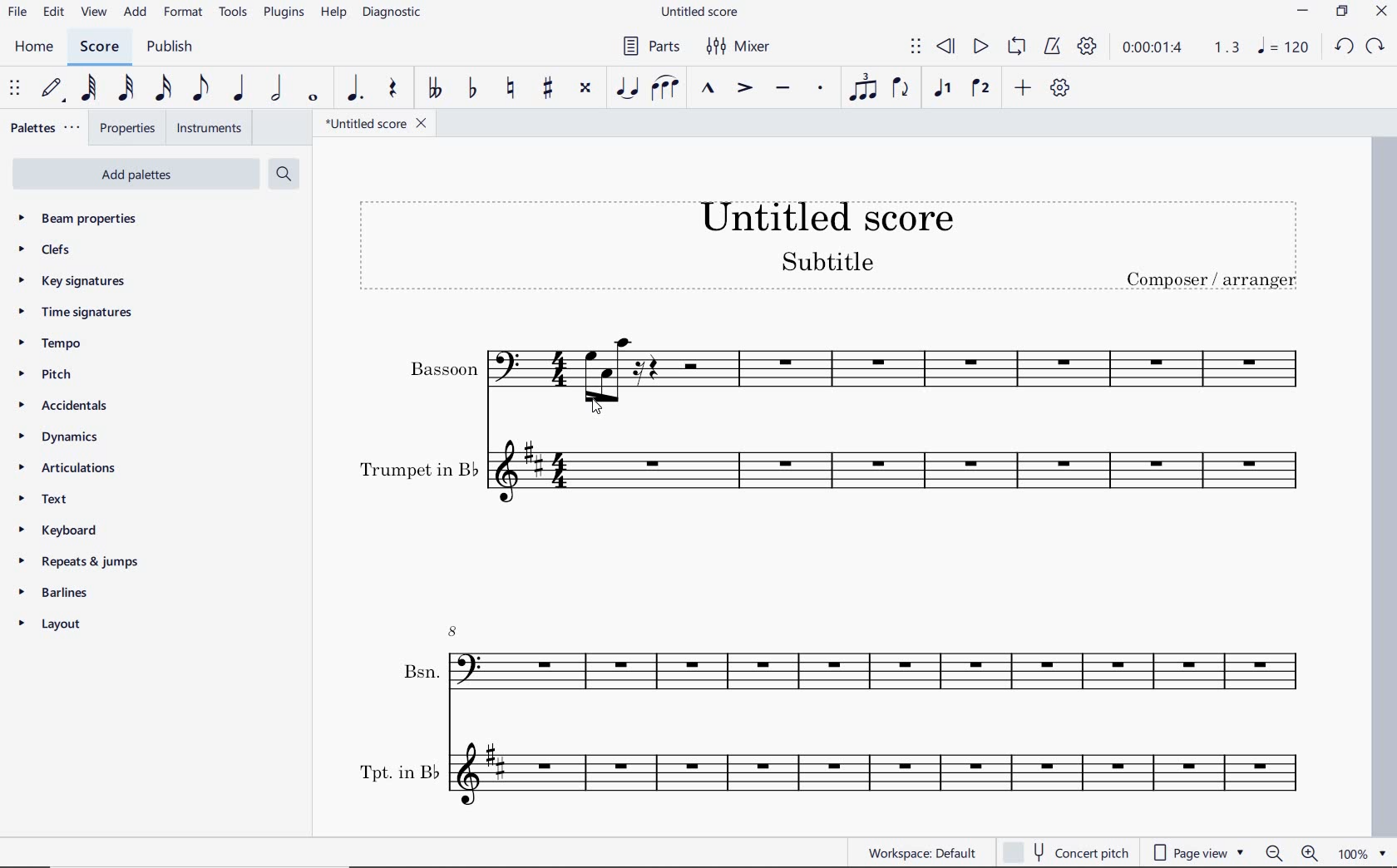 The image size is (1397, 868). Describe the element at coordinates (435, 89) in the screenshot. I see `toggle double-flat` at that location.